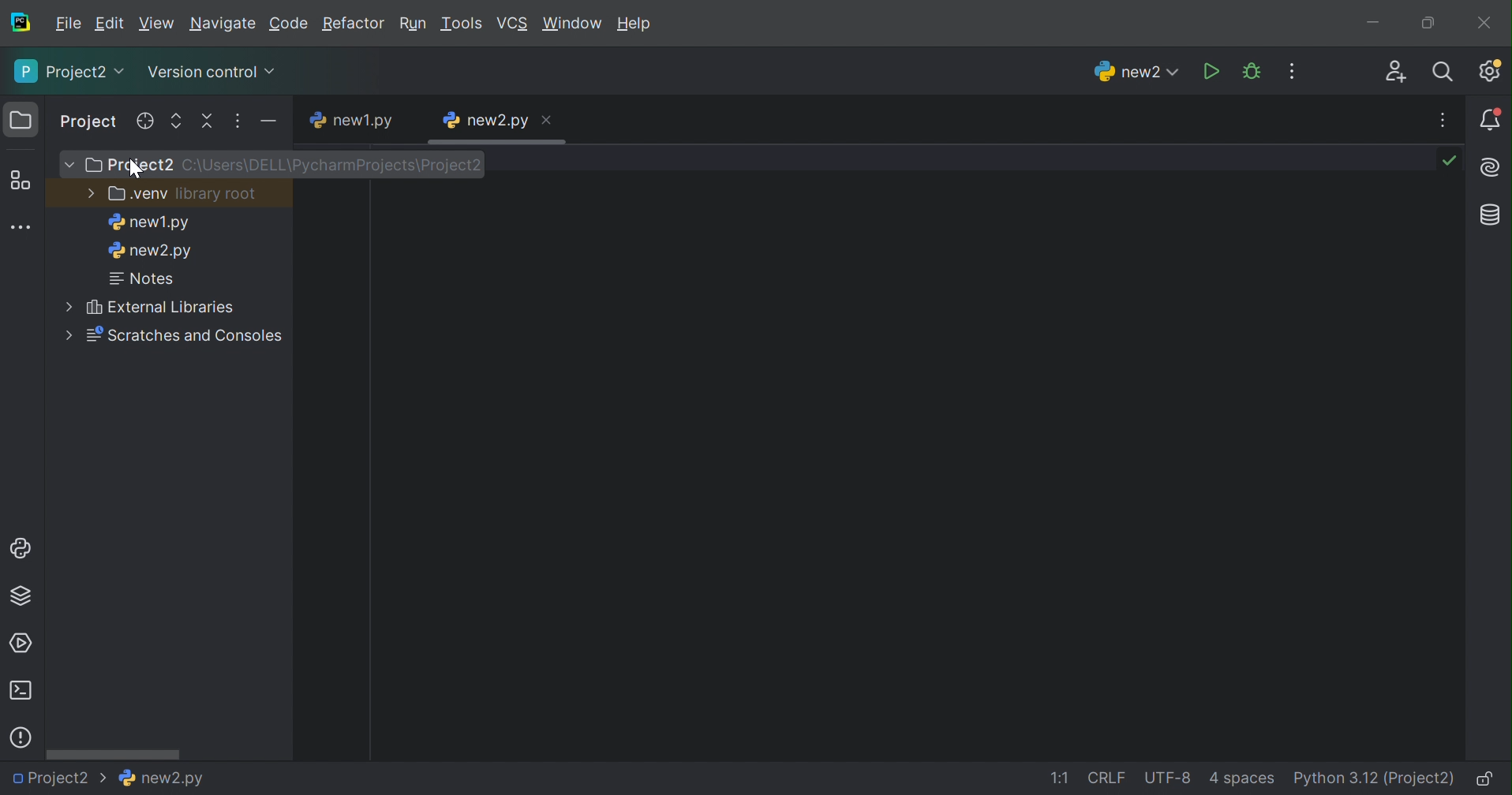 This screenshot has width=1512, height=795. Describe the element at coordinates (1490, 779) in the screenshot. I see `Make file read-only` at that location.